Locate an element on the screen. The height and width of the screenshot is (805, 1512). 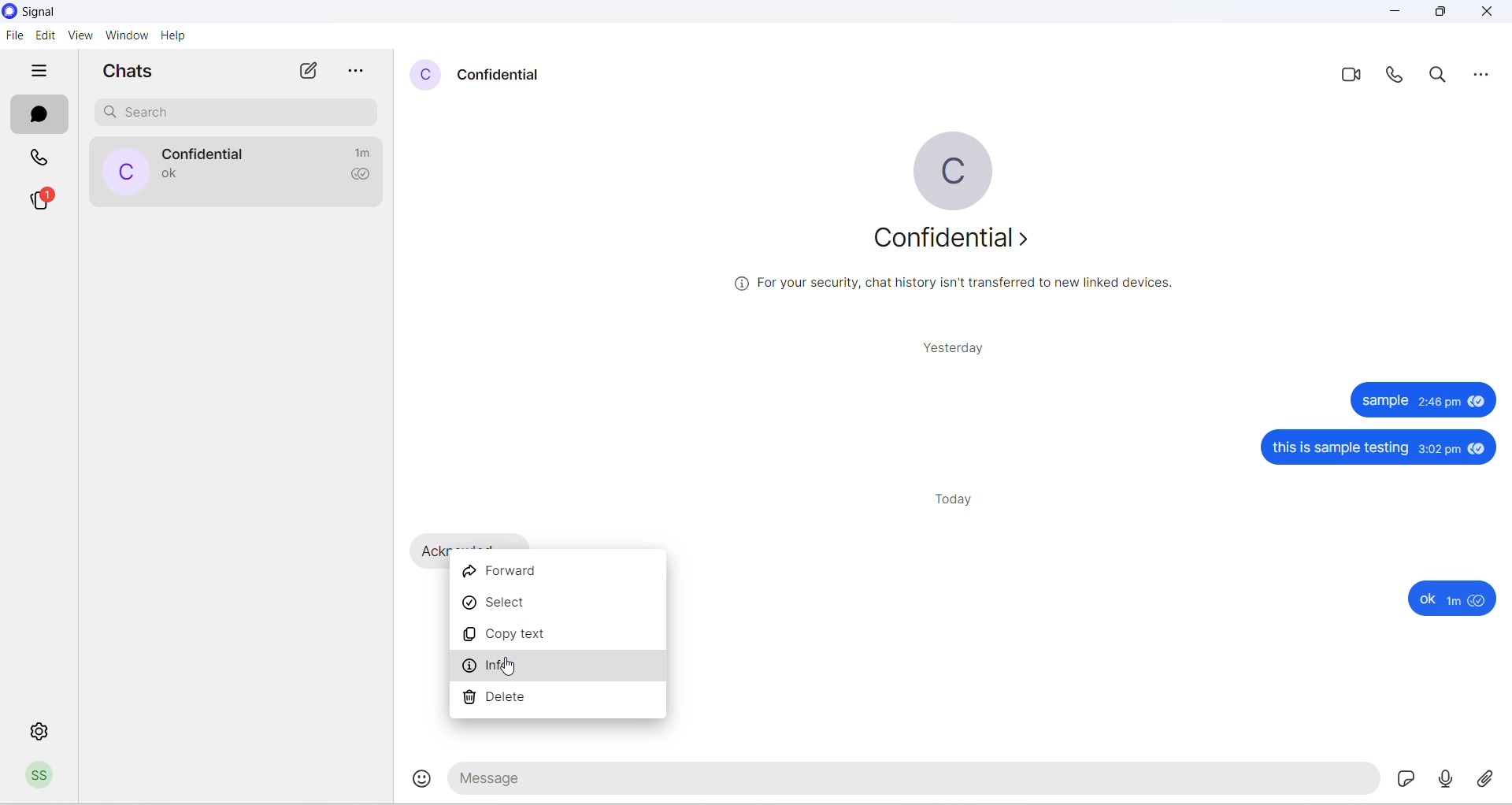
view is located at coordinates (78, 35).